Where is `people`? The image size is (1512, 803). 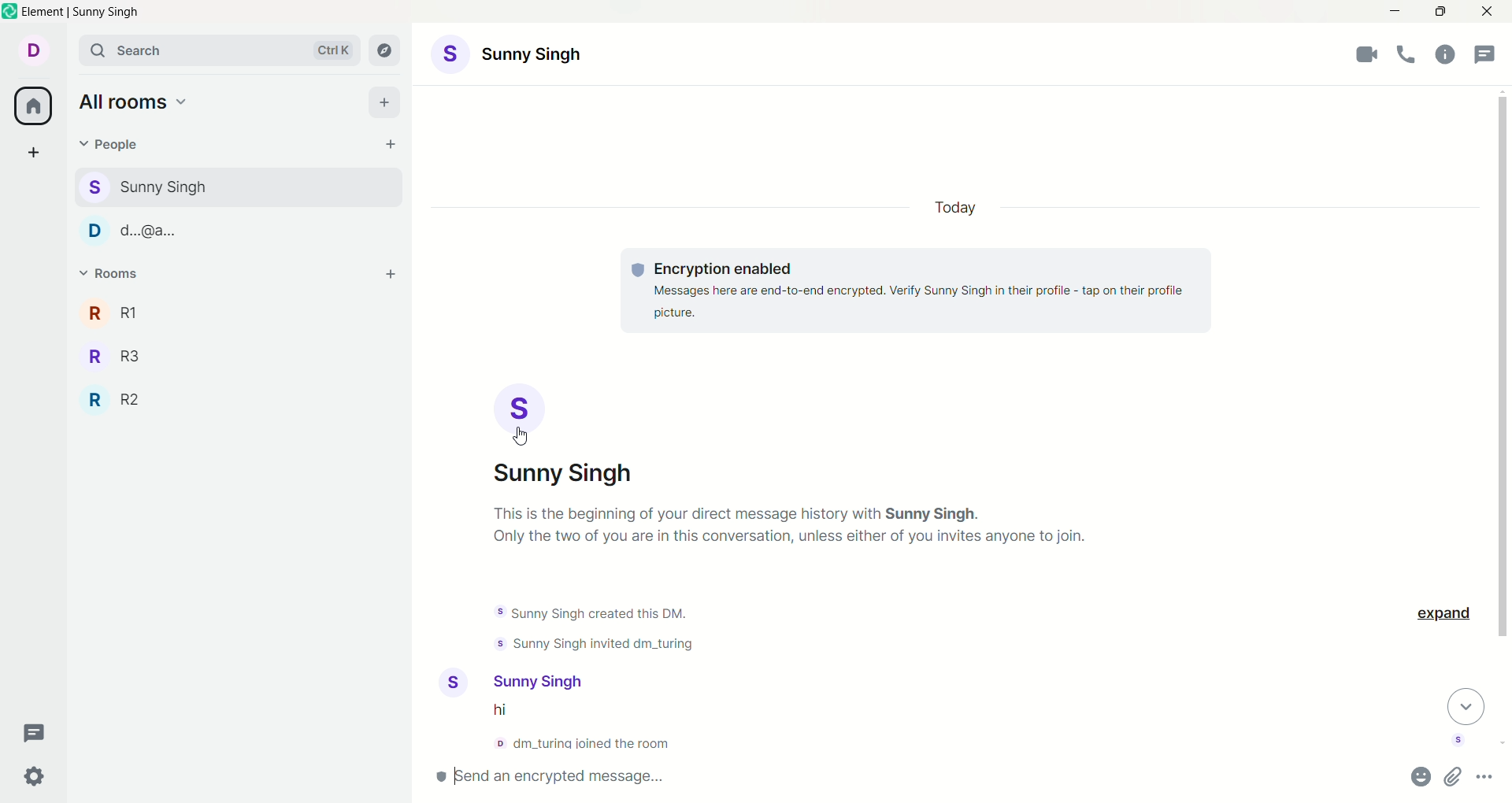
people is located at coordinates (224, 230).